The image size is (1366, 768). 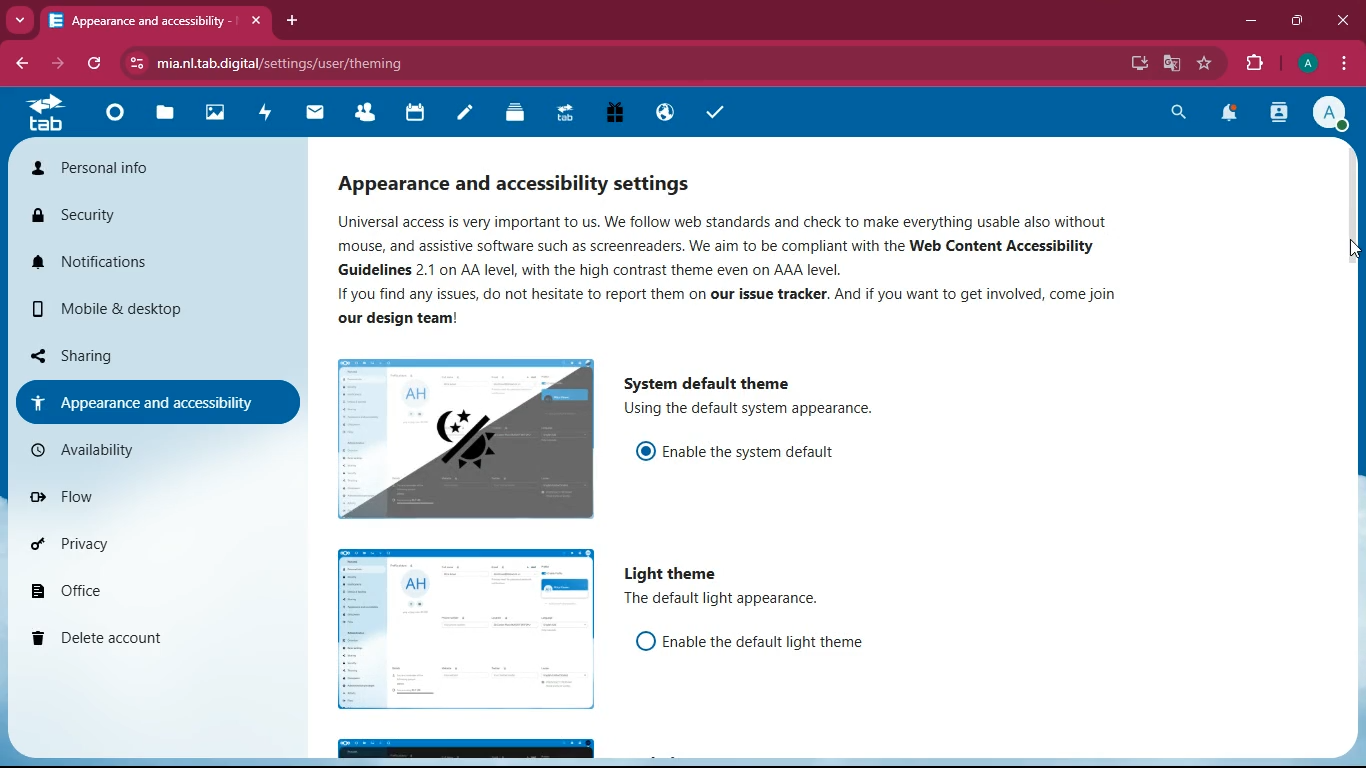 What do you see at coordinates (464, 115) in the screenshot?
I see `notes` at bounding box center [464, 115].